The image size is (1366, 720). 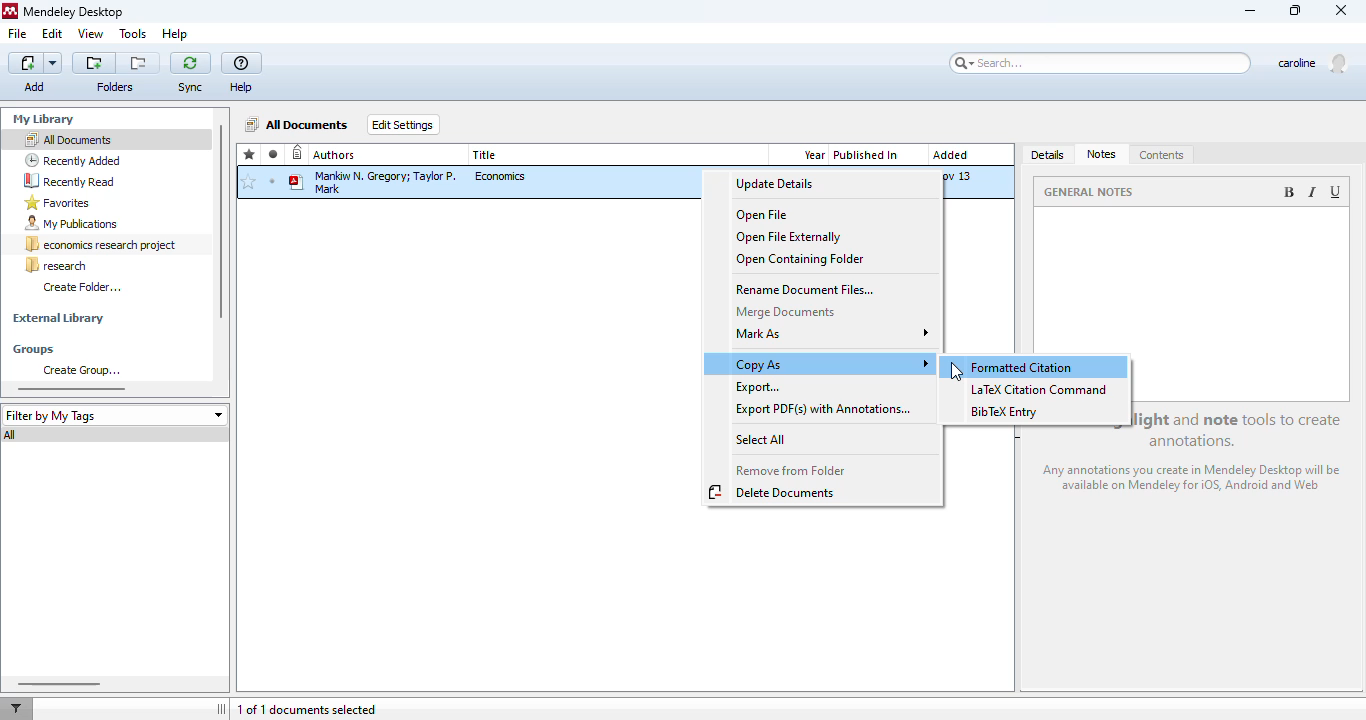 What do you see at coordinates (57, 683) in the screenshot?
I see `horizontal scroll bar` at bounding box center [57, 683].